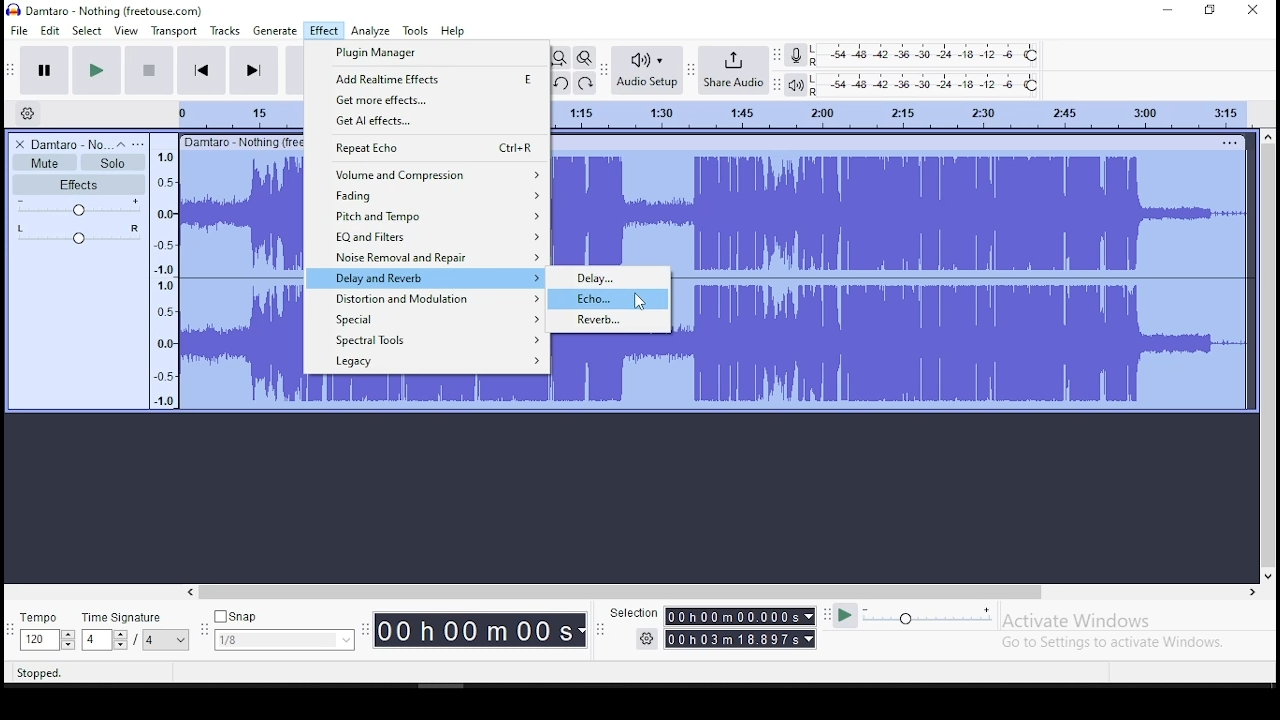 This screenshot has width=1280, height=720. I want to click on special, so click(428, 318).